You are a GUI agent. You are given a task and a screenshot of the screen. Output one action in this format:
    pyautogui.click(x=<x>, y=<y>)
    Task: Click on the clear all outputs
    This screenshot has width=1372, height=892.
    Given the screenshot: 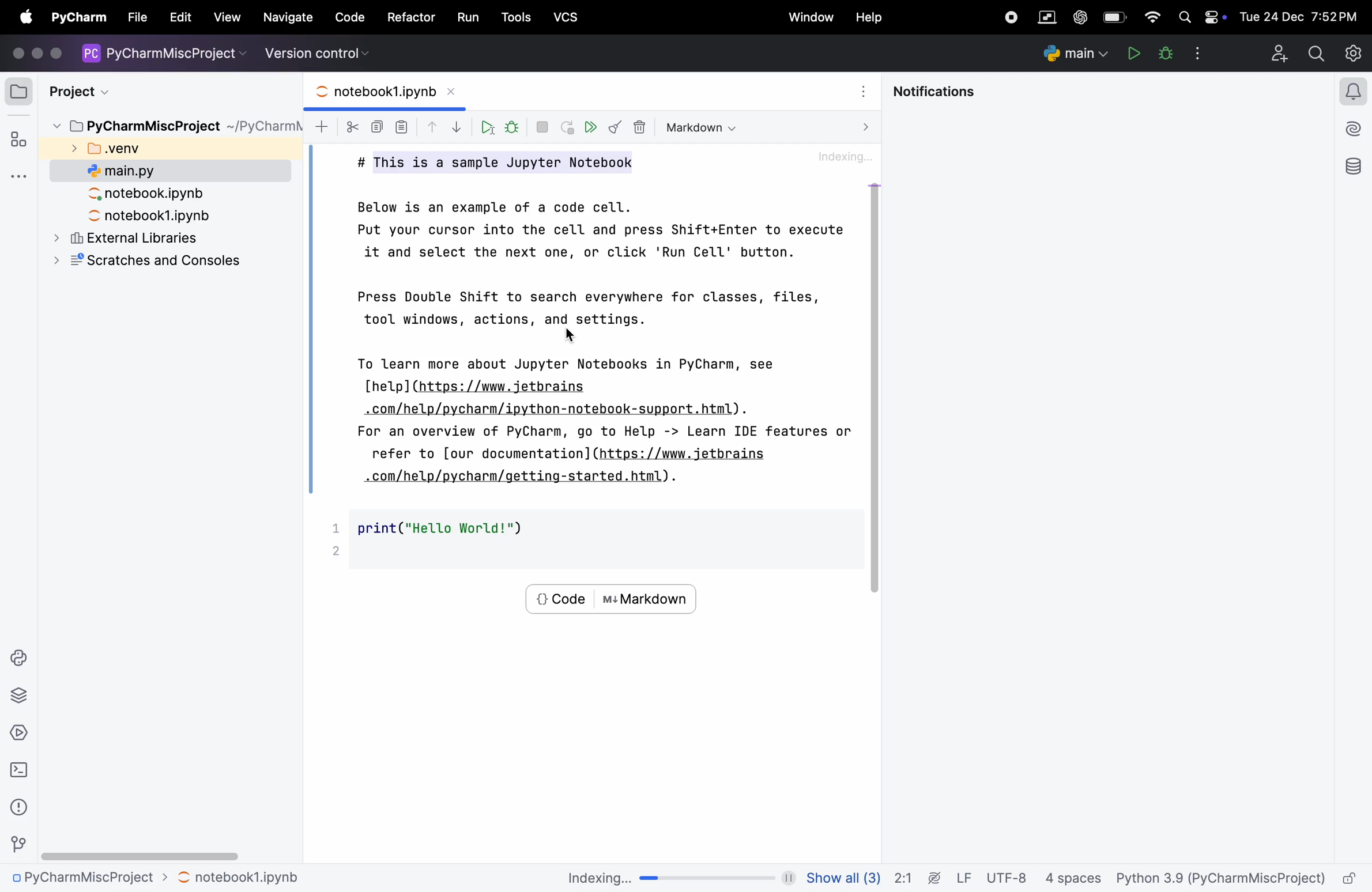 What is the action you would take?
    pyautogui.click(x=615, y=124)
    